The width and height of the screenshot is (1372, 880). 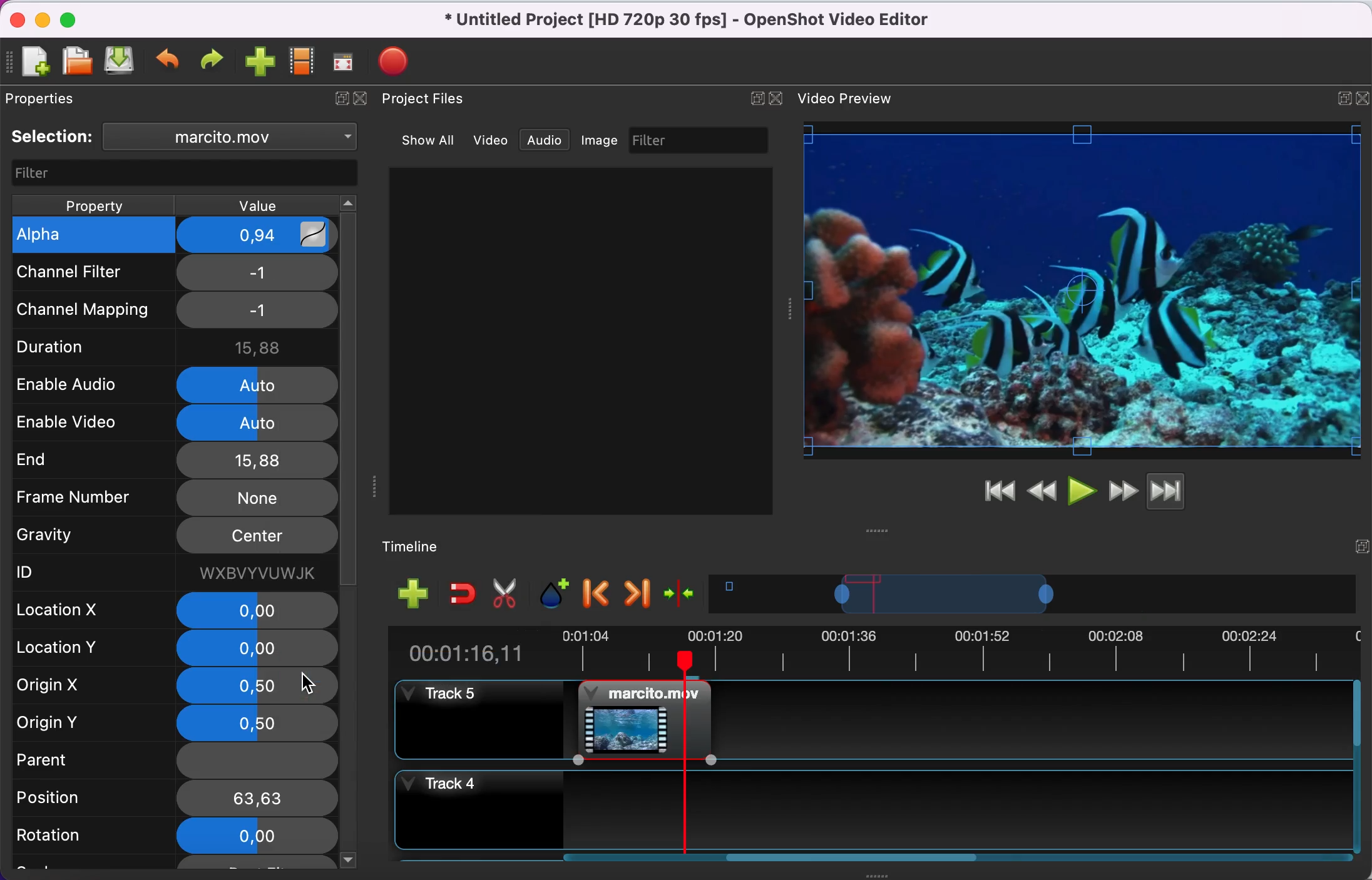 What do you see at coordinates (1036, 597) in the screenshot?
I see `timeline` at bounding box center [1036, 597].